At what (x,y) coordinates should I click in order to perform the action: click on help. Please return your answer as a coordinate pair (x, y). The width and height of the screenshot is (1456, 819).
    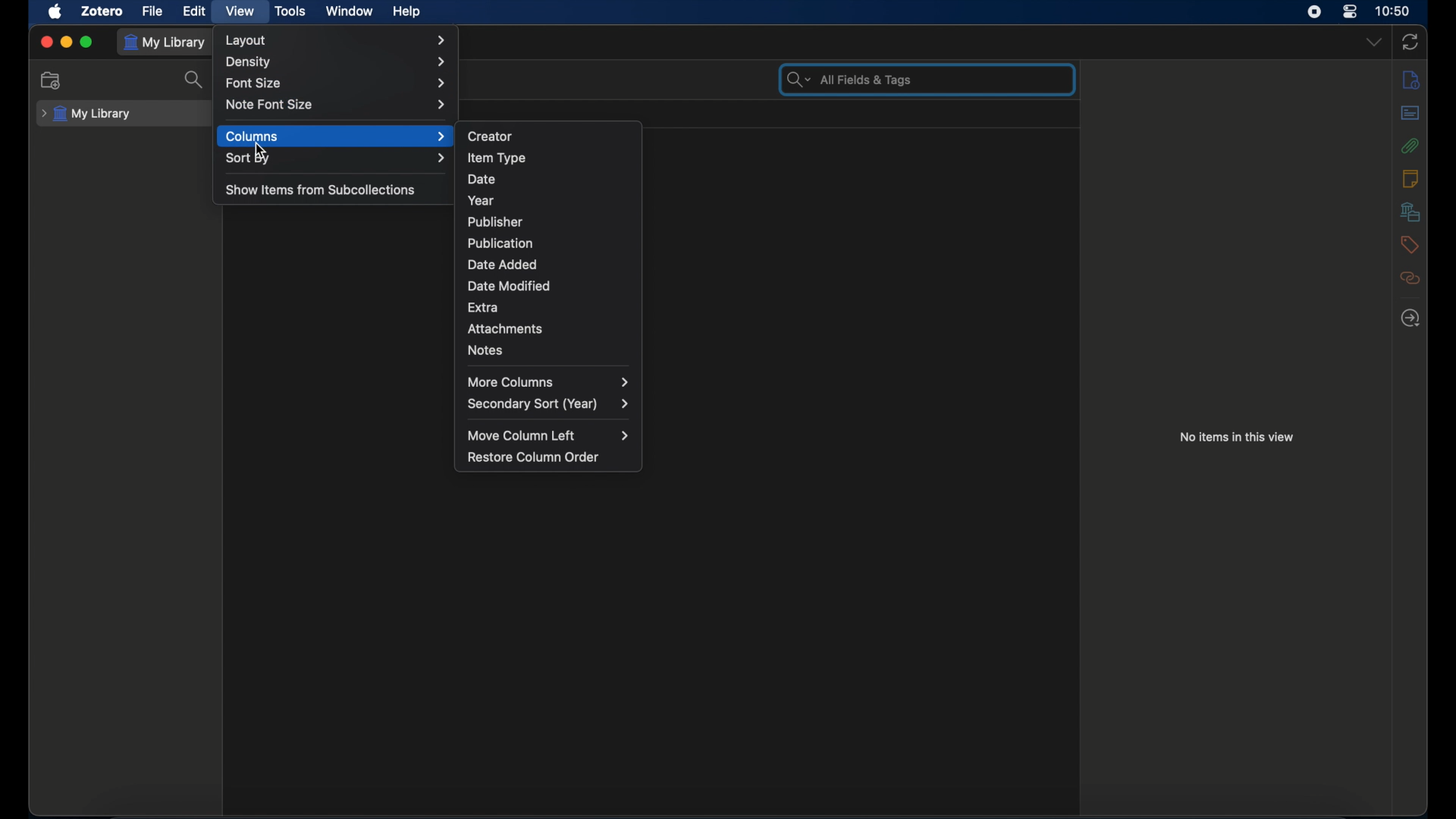
    Looking at the image, I should click on (406, 12).